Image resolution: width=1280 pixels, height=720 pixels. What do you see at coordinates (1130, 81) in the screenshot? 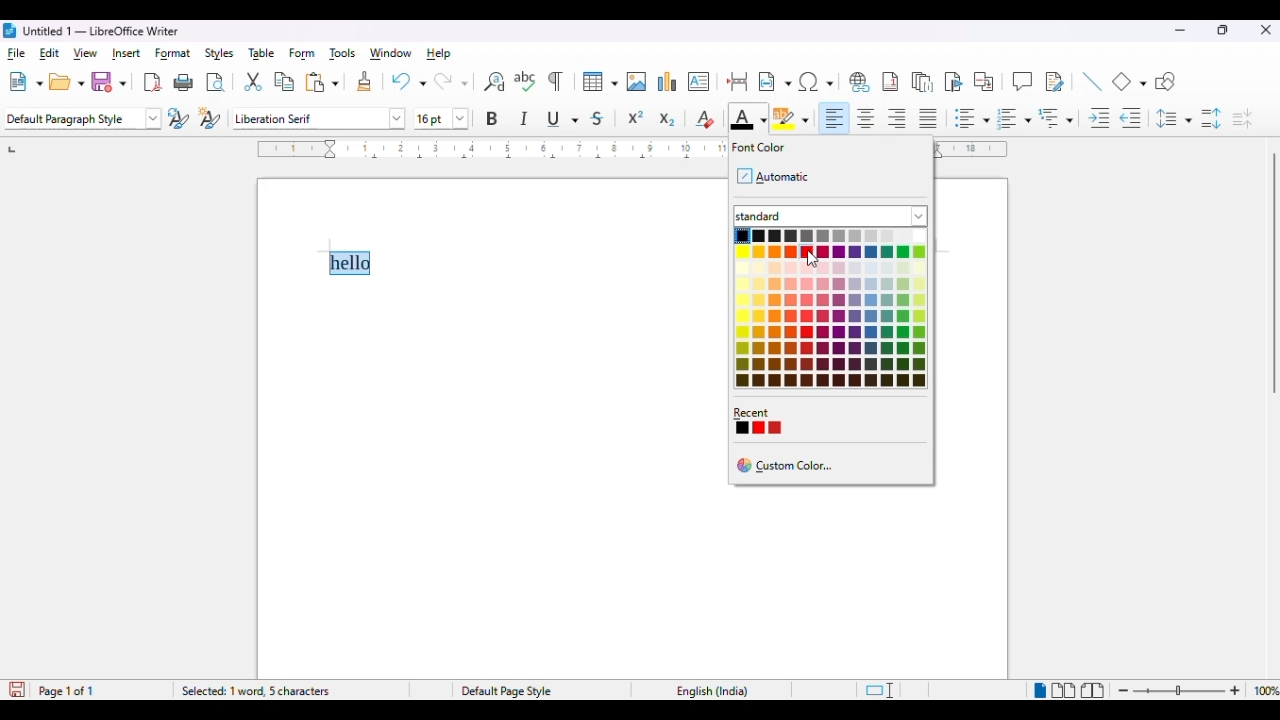
I see `basic shapes` at bounding box center [1130, 81].